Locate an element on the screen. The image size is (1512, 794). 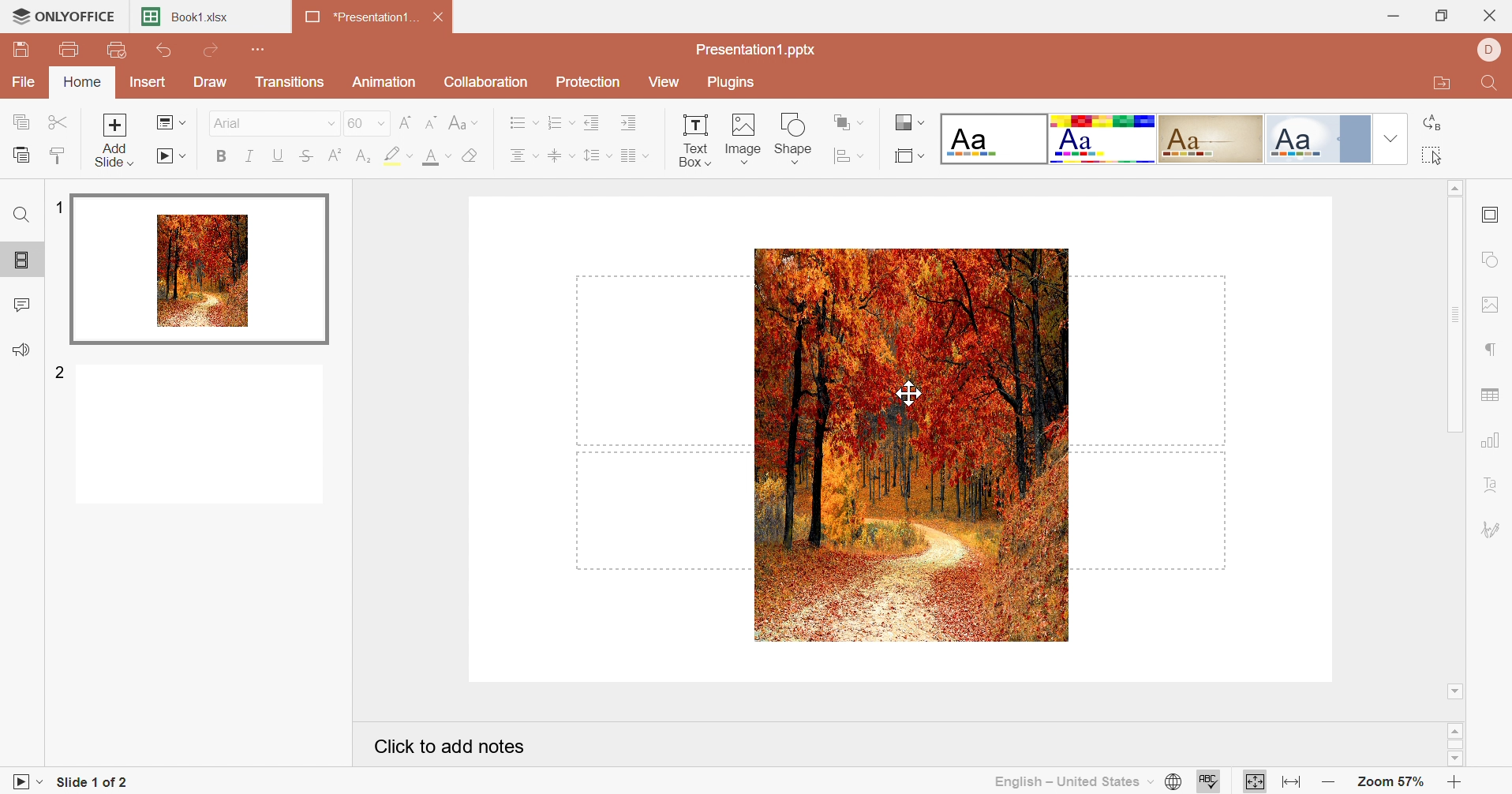
Bullets is located at coordinates (524, 124).